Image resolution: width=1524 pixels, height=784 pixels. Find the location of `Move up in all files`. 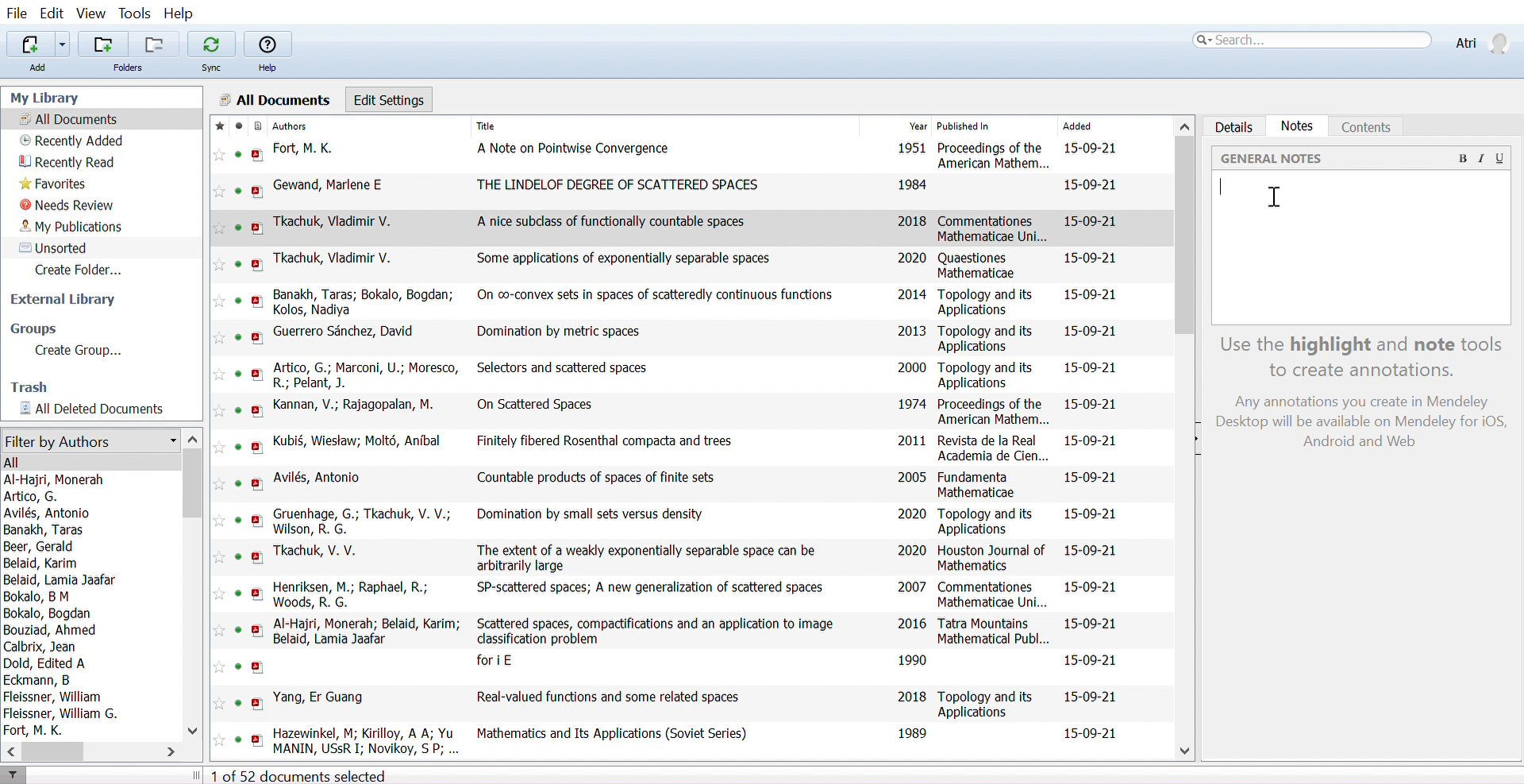

Move up in all files is located at coordinates (1183, 125).